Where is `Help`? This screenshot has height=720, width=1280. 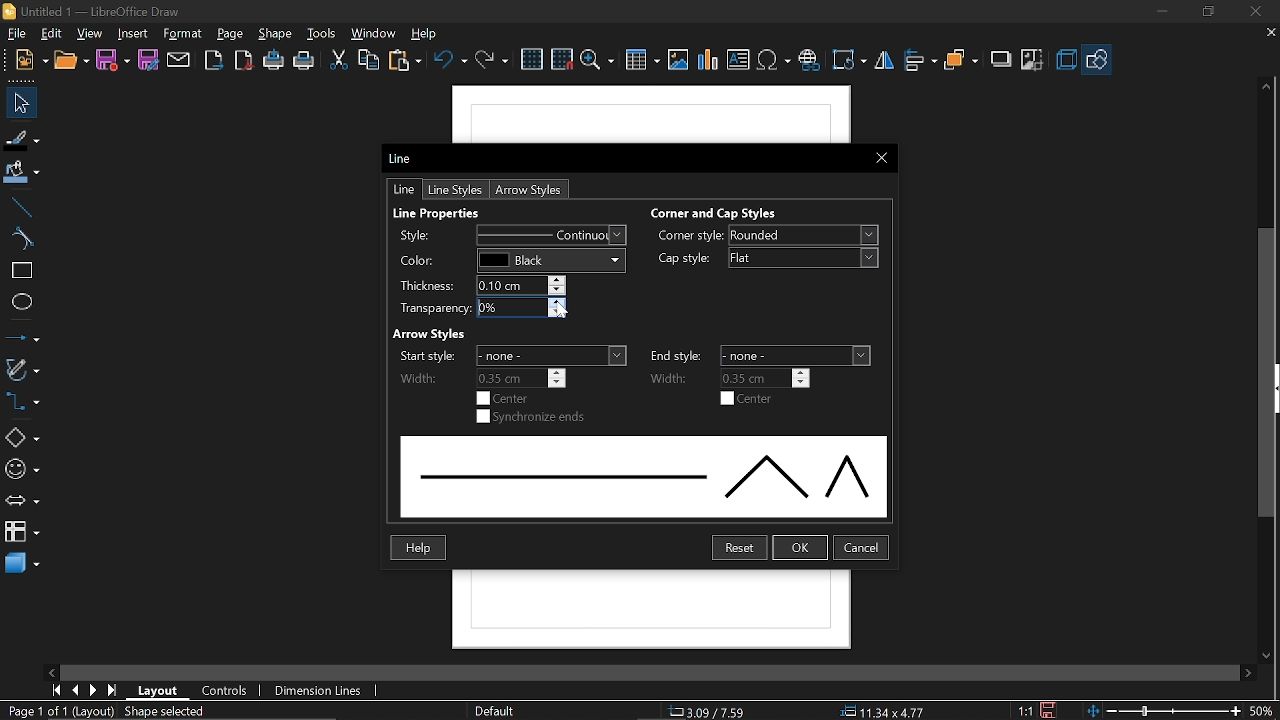
Help is located at coordinates (418, 547).